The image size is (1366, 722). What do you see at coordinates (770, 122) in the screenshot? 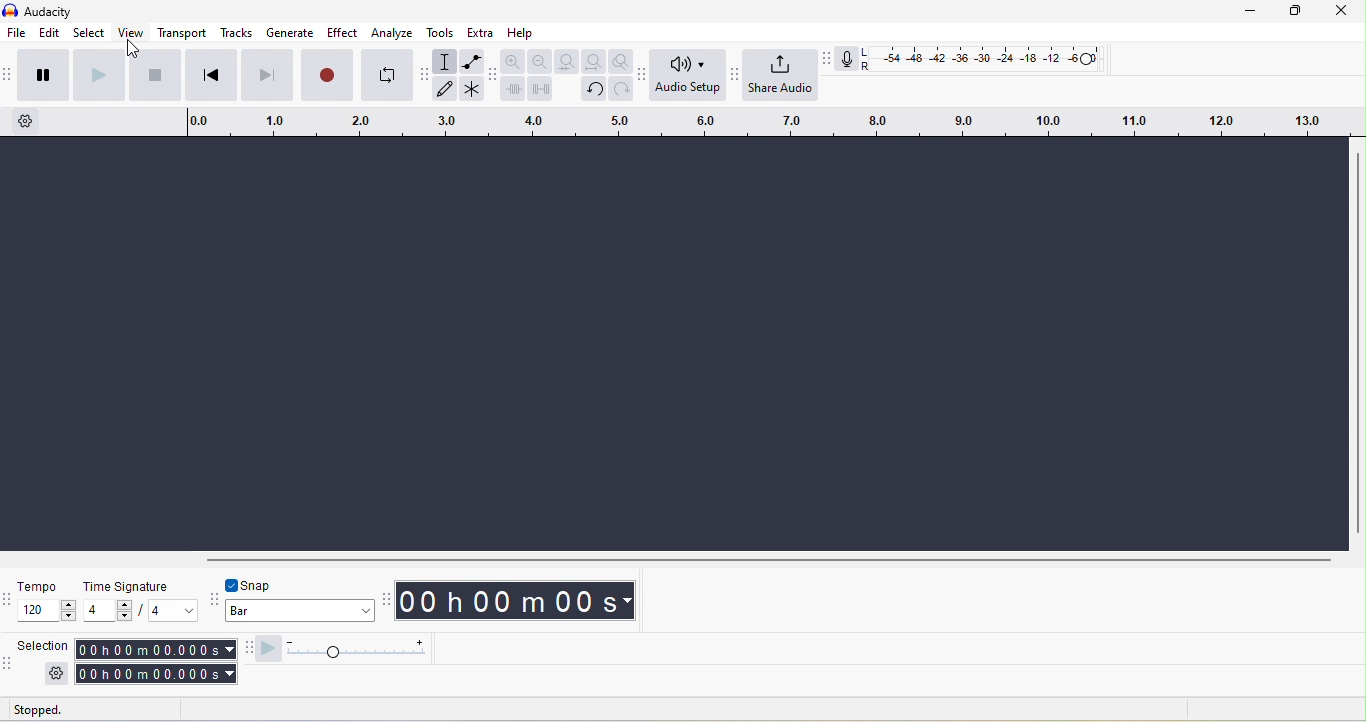
I see `timeline` at bounding box center [770, 122].